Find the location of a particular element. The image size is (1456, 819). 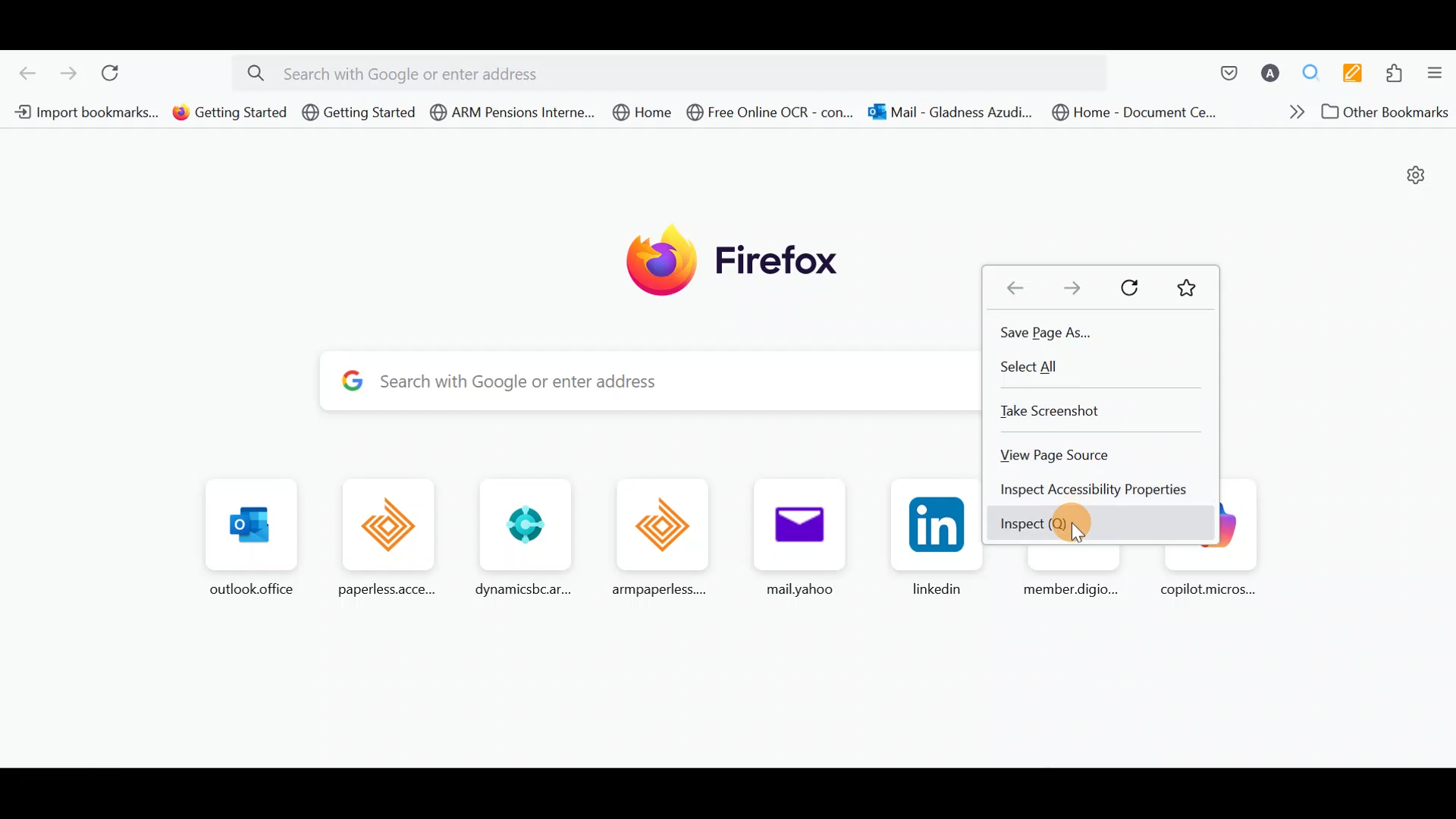

Extensions is located at coordinates (1398, 71).